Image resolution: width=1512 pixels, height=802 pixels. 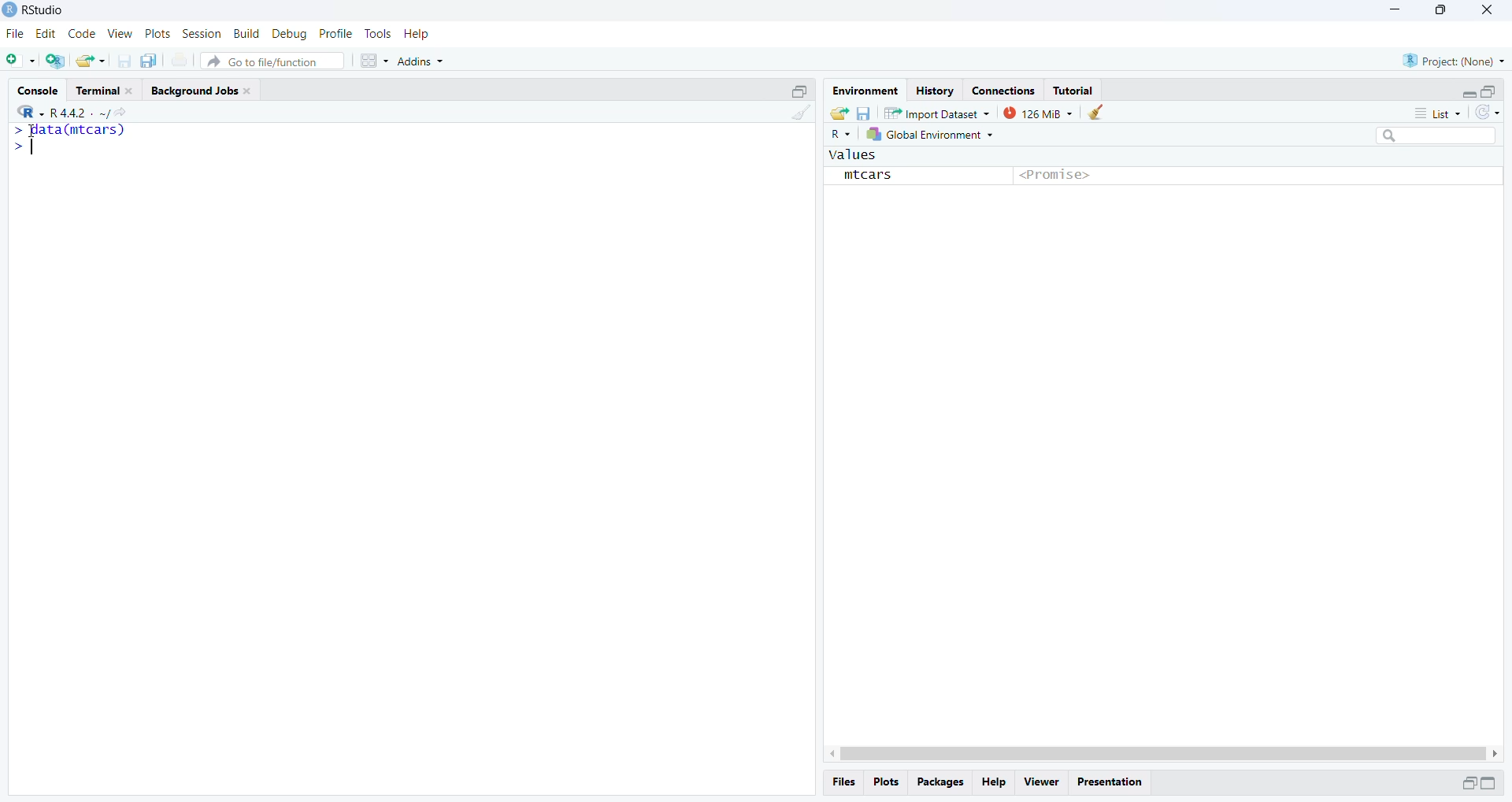 I want to click on Console, so click(x=38, y=89).